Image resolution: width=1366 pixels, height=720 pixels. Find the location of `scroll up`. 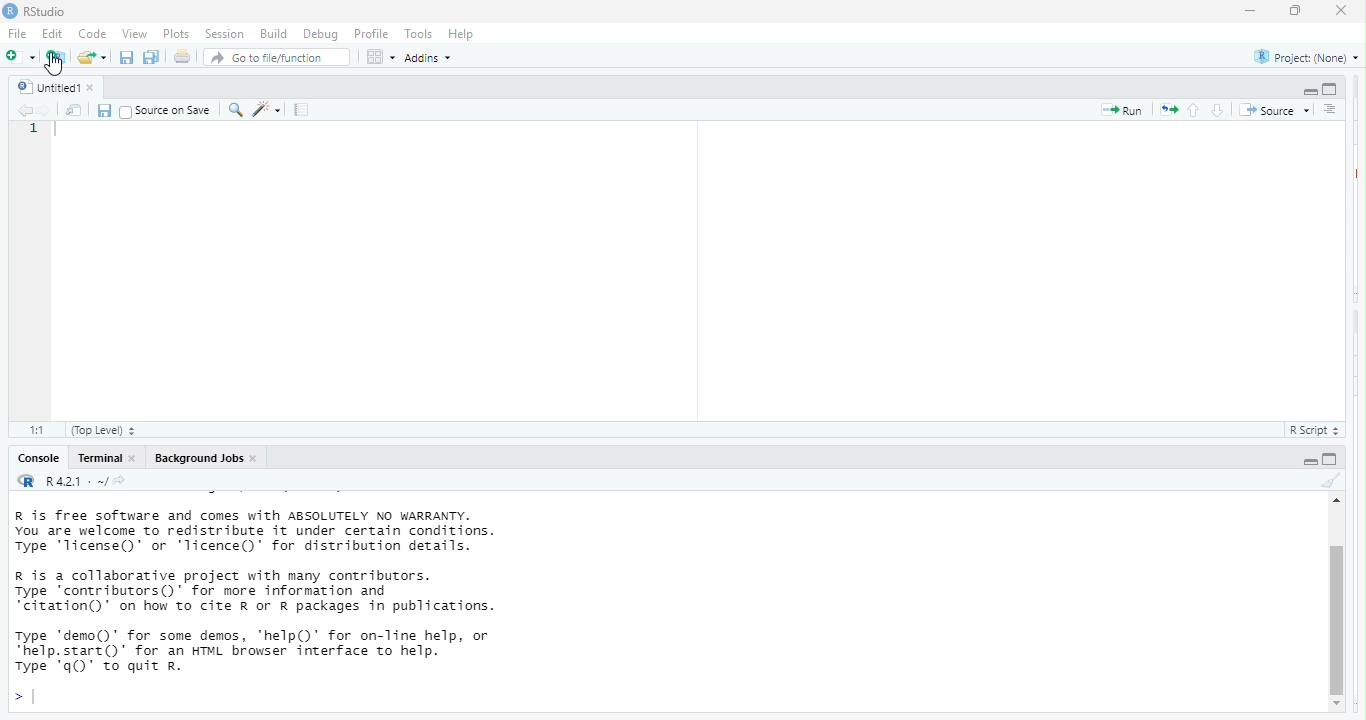

scroll up is located at coordinates (1334, 503).